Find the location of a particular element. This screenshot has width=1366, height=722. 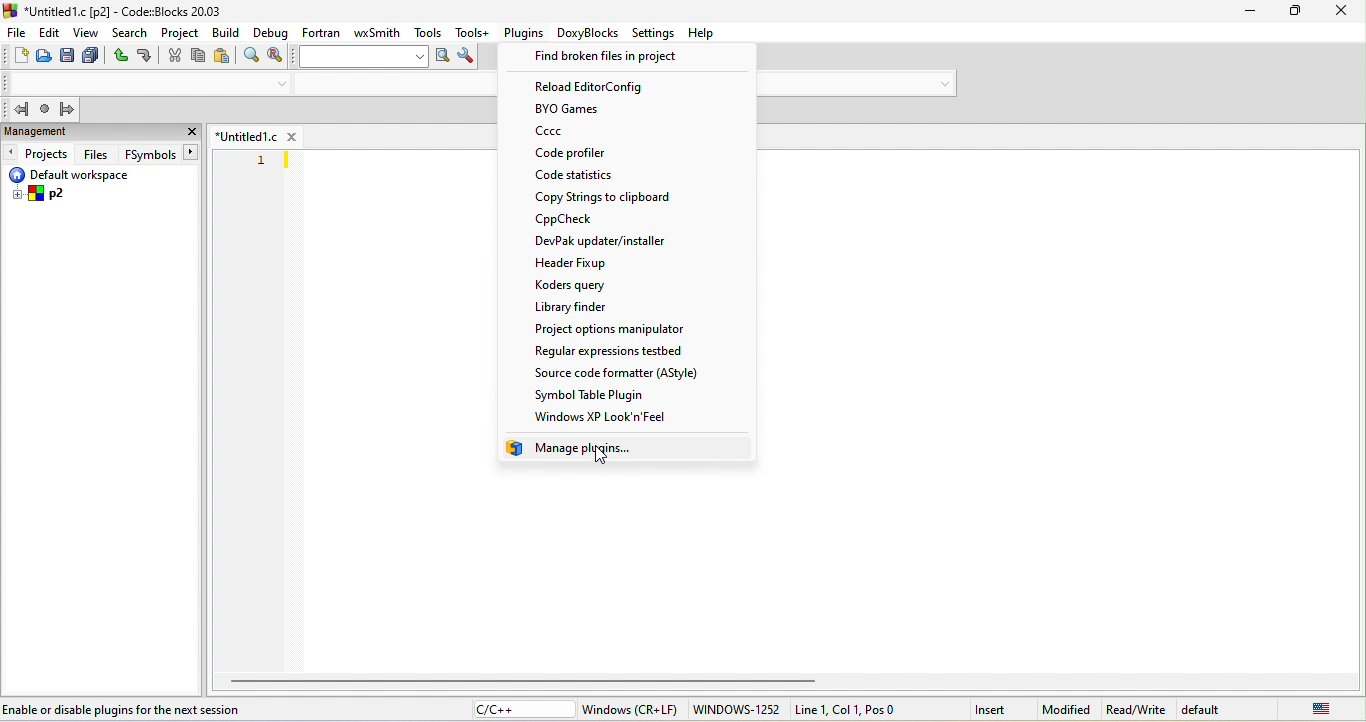

wxsmith is located at coordinates (377, 34).